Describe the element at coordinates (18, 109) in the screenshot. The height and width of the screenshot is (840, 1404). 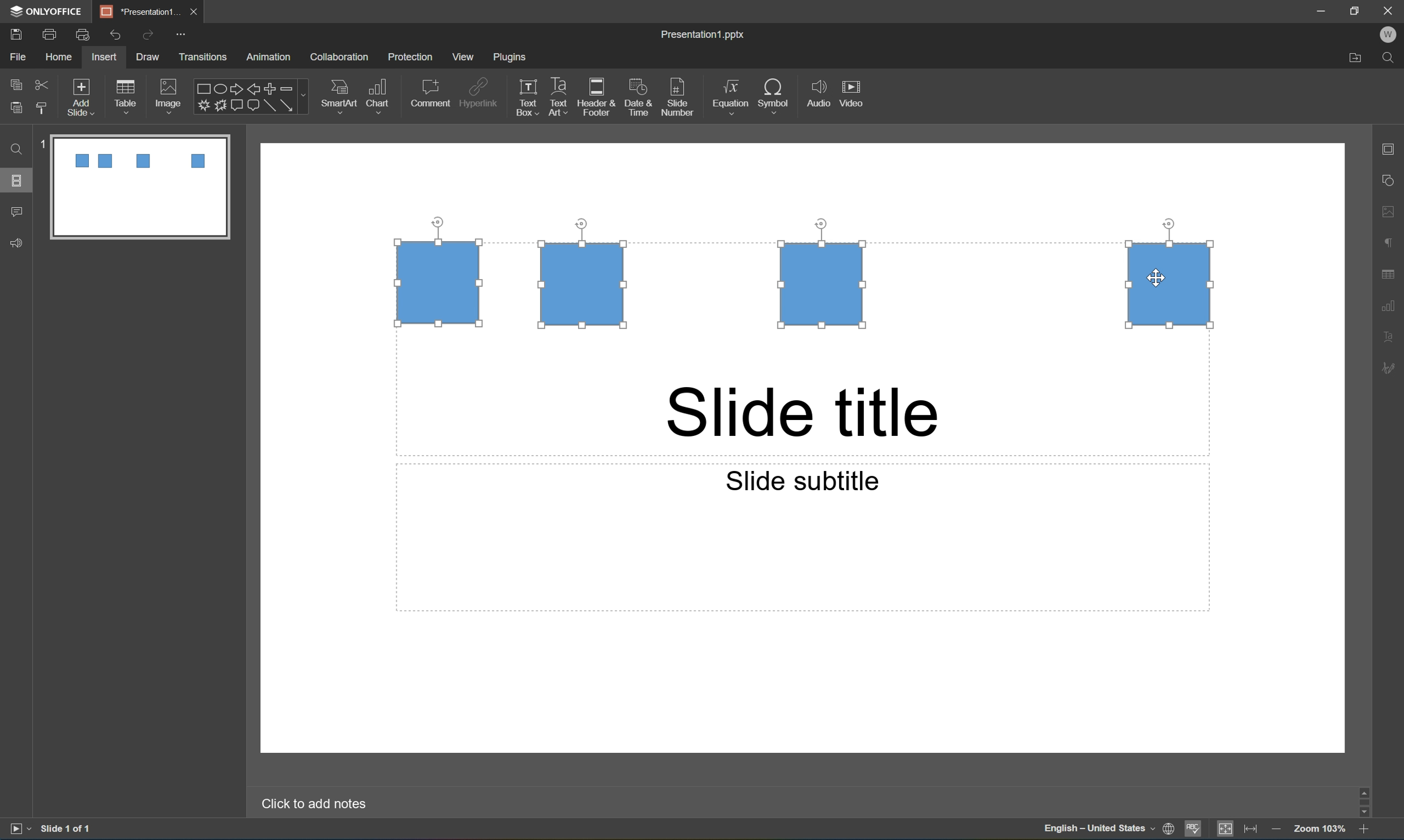
I see `paste` at that location.